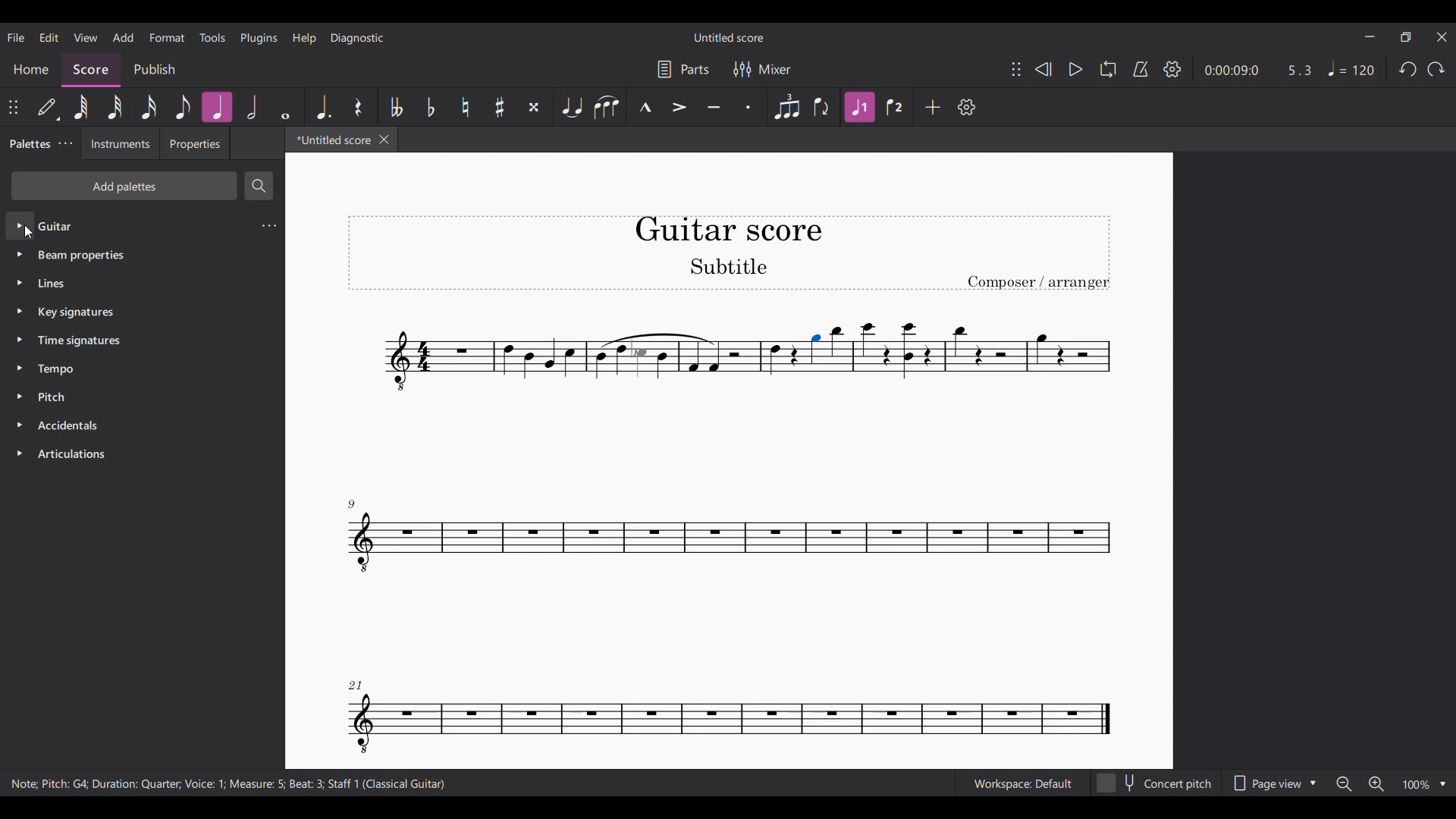  Describe the element at coordinates (20, 283) in the screenshot. I see `Click to expand lines palette` at that location.